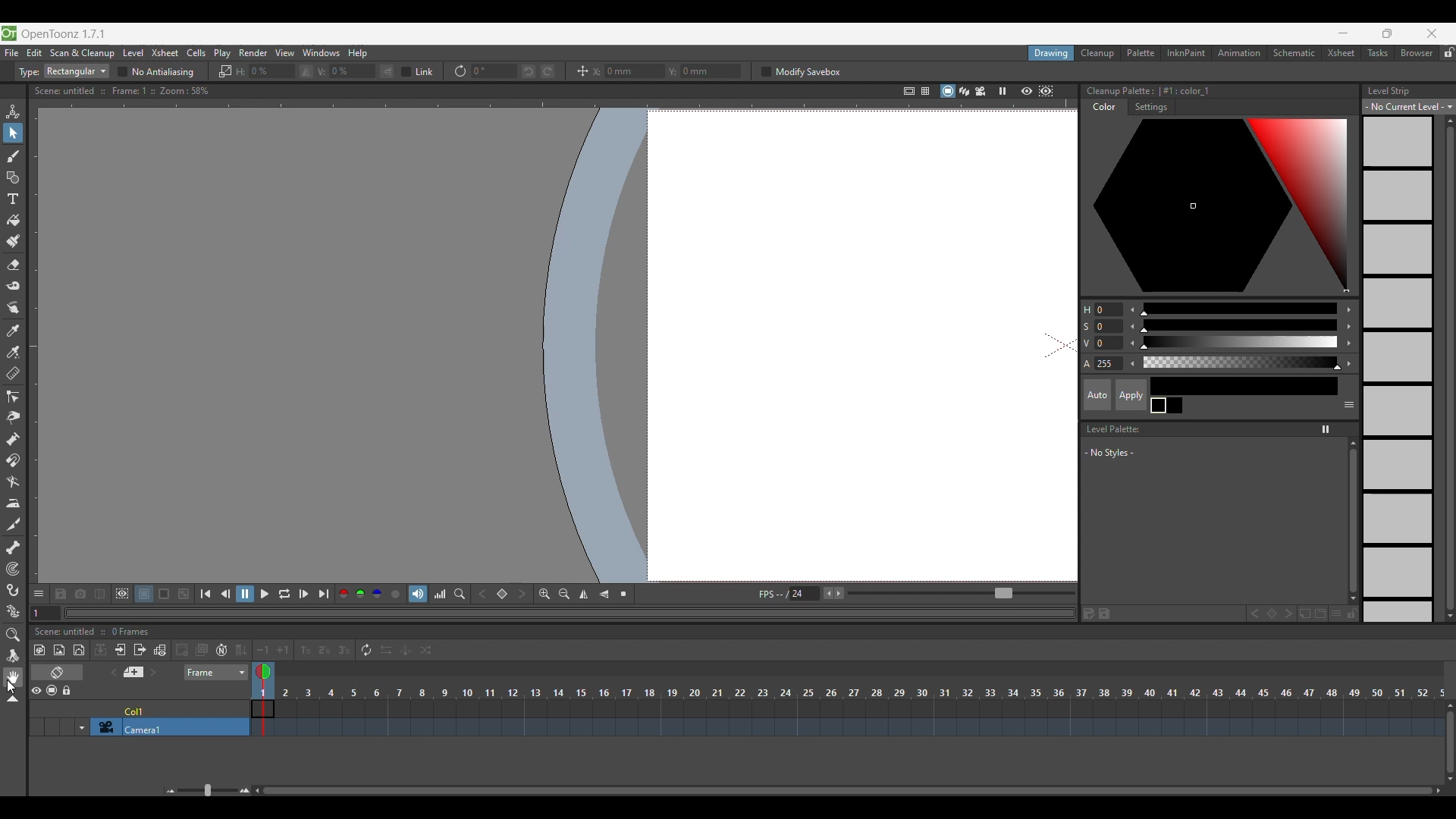 Image resolution: width=1456 pixels, height=819 pixels. What do you see at coordinates (12, 548) in the screenshot?
I see `Skeleton tool` at bounding box center [12, 548].